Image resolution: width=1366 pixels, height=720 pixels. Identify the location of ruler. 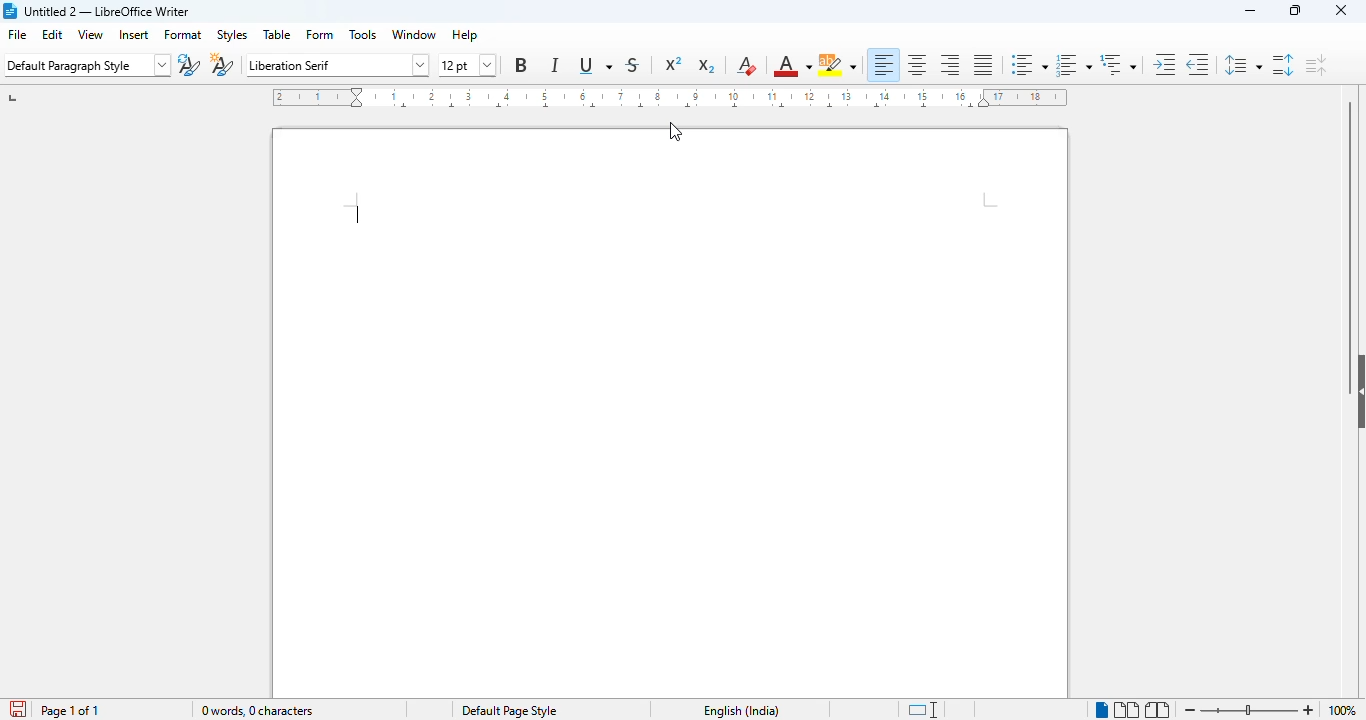
(673, 98).